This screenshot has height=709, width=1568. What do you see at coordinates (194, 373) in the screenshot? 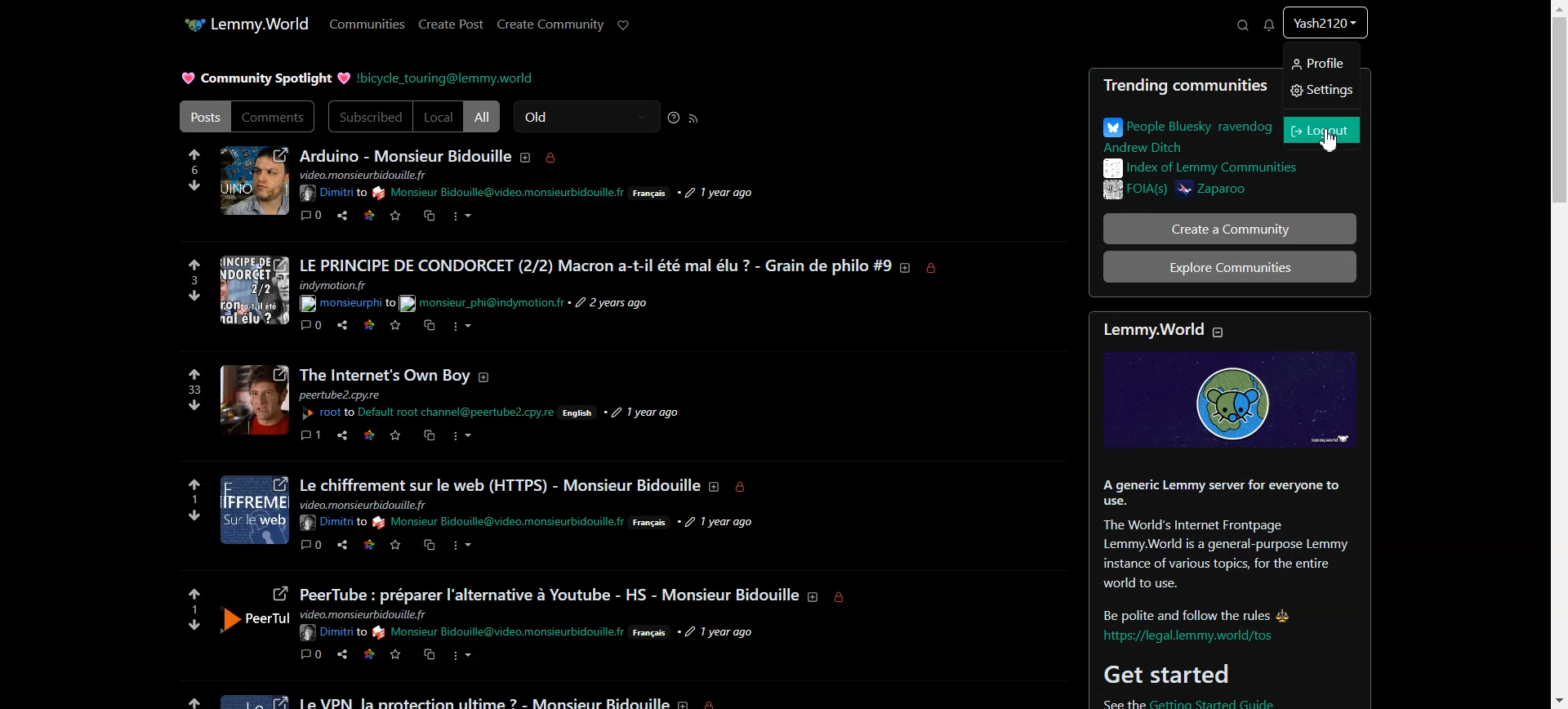
I see `upvotes` at bounding box center [194, 373].